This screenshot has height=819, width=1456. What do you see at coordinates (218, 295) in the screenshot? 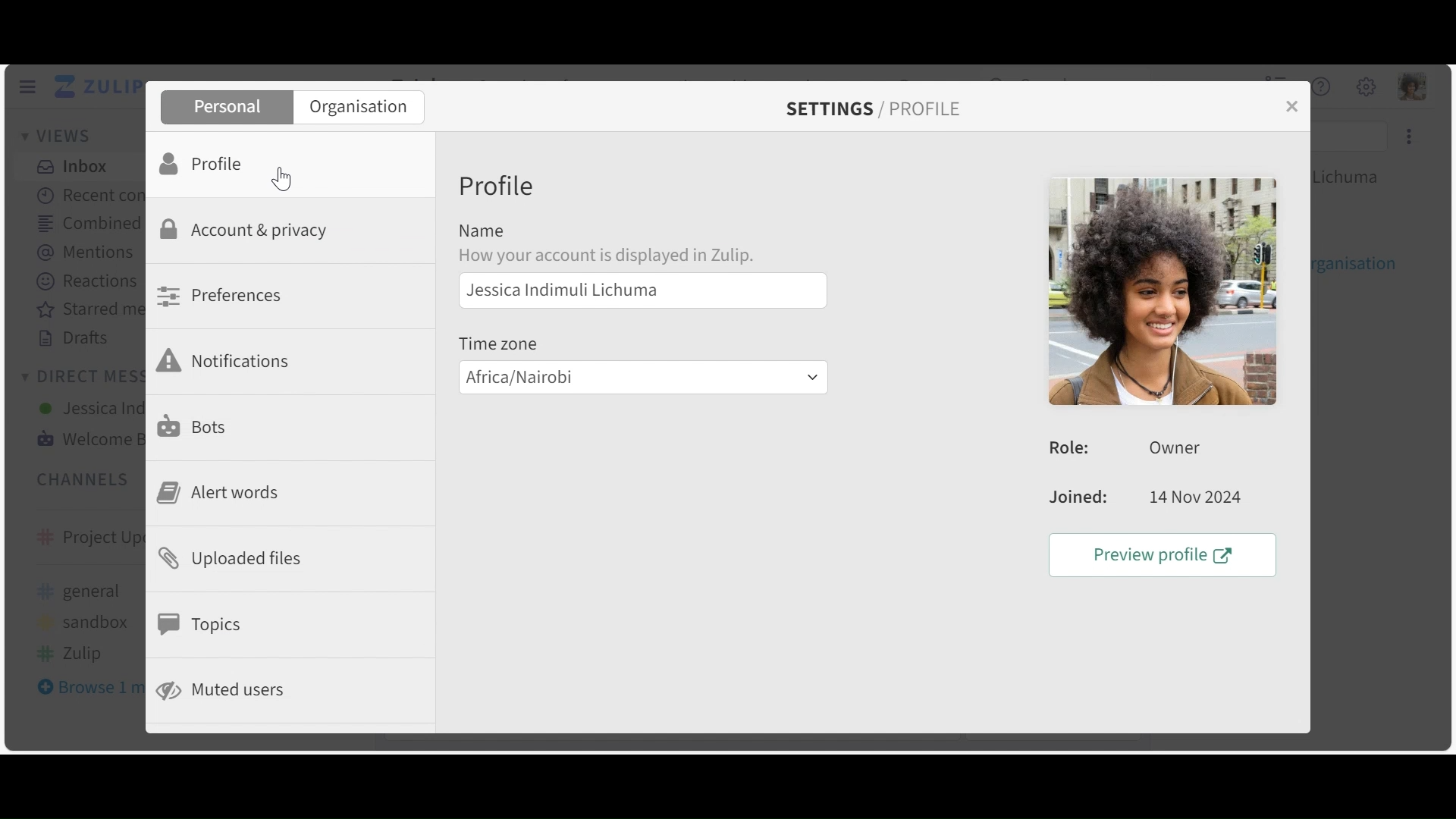
I see `Preferences` at bounding box center [218, 295].